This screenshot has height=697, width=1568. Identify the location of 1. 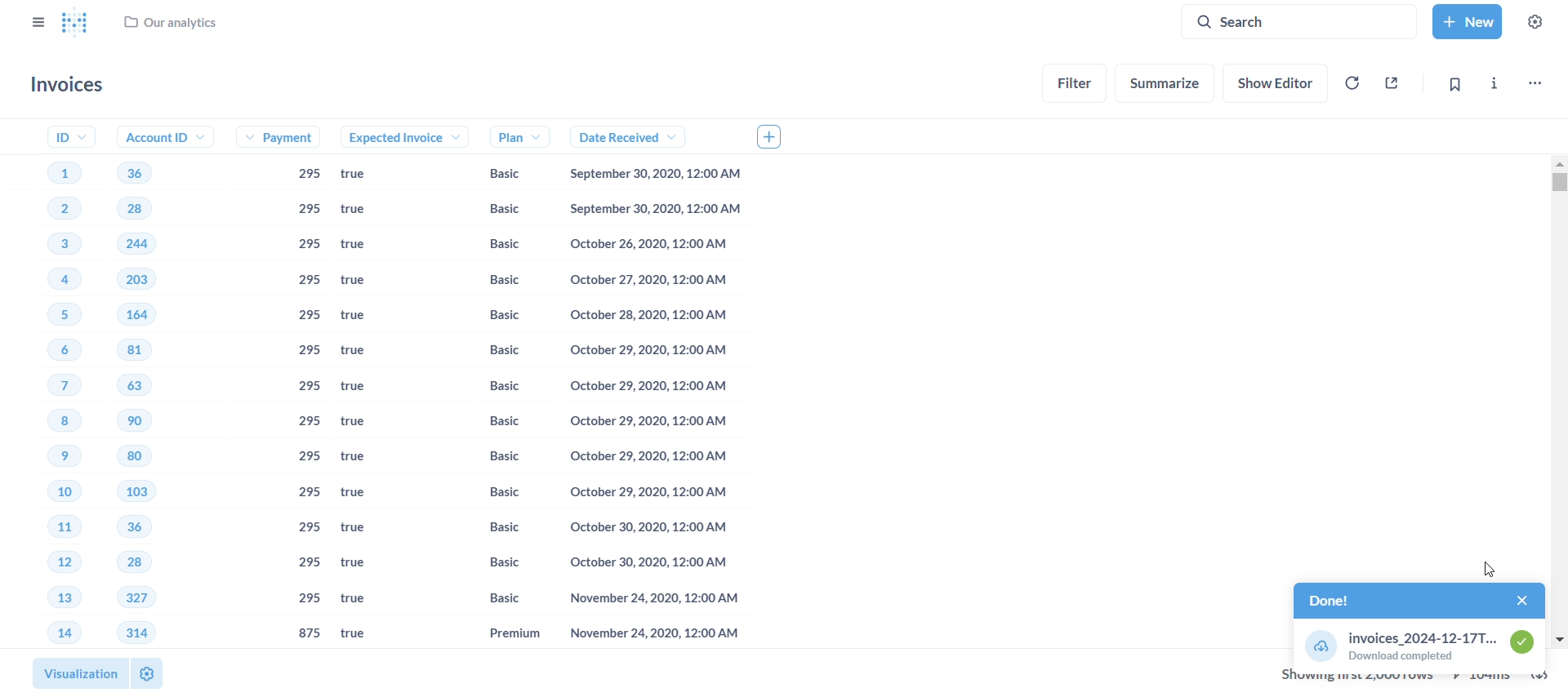
(60, 171).